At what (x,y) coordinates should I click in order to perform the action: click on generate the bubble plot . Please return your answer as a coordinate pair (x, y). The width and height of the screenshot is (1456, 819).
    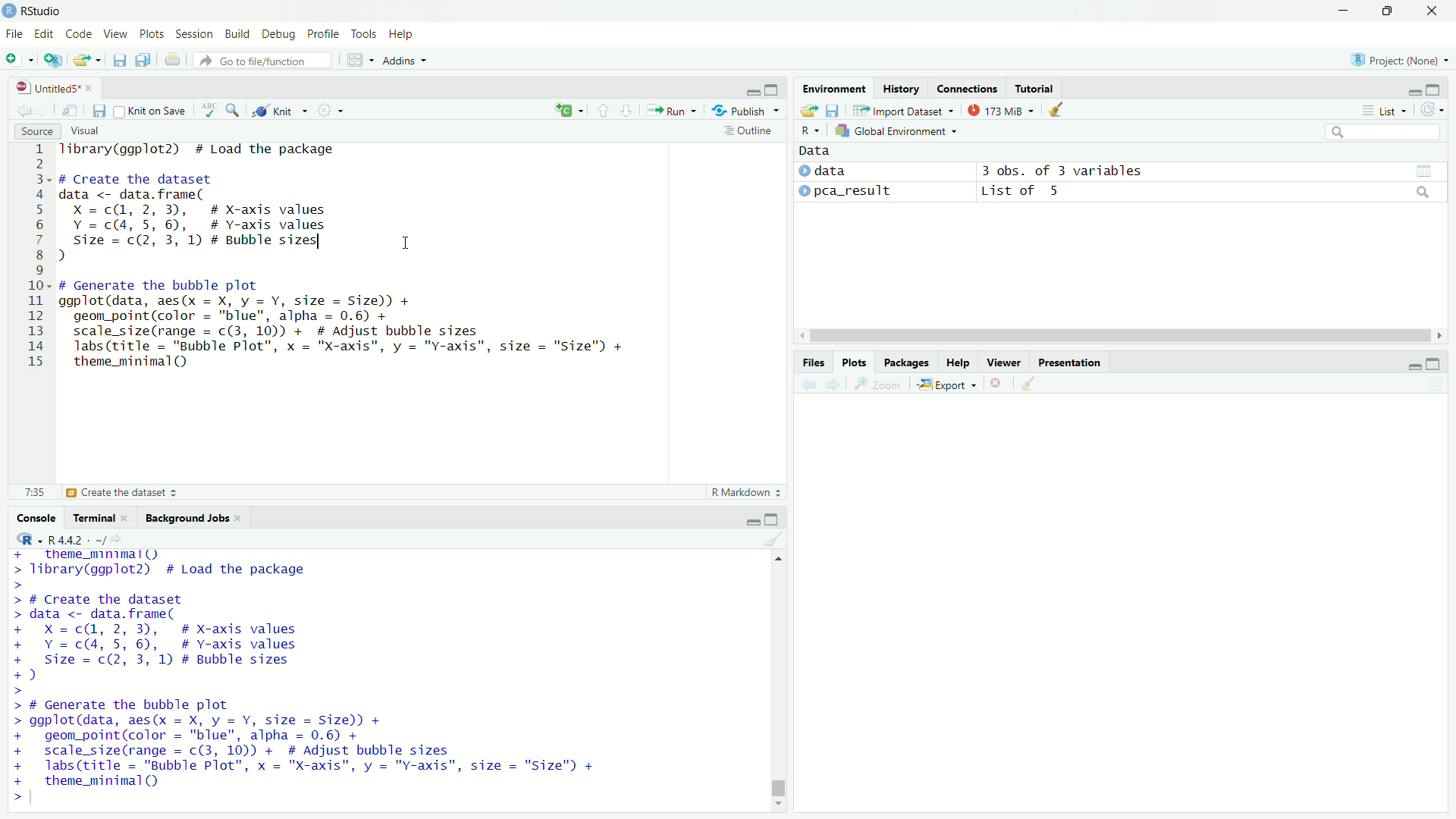
    Looking at the image, I should click on (116, 493).